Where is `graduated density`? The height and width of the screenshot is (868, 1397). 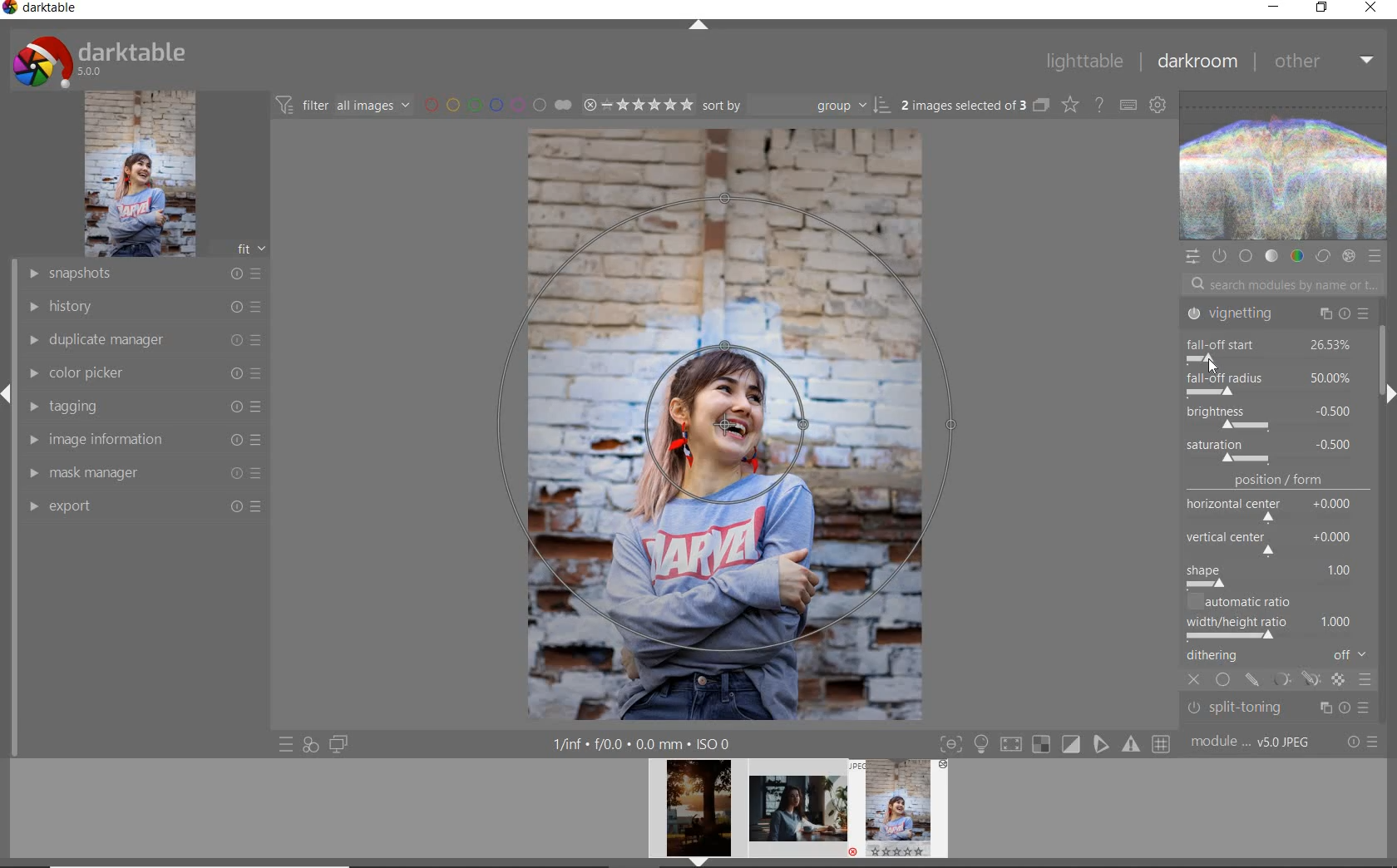 graduated density is located at coordinates (1279, 318).